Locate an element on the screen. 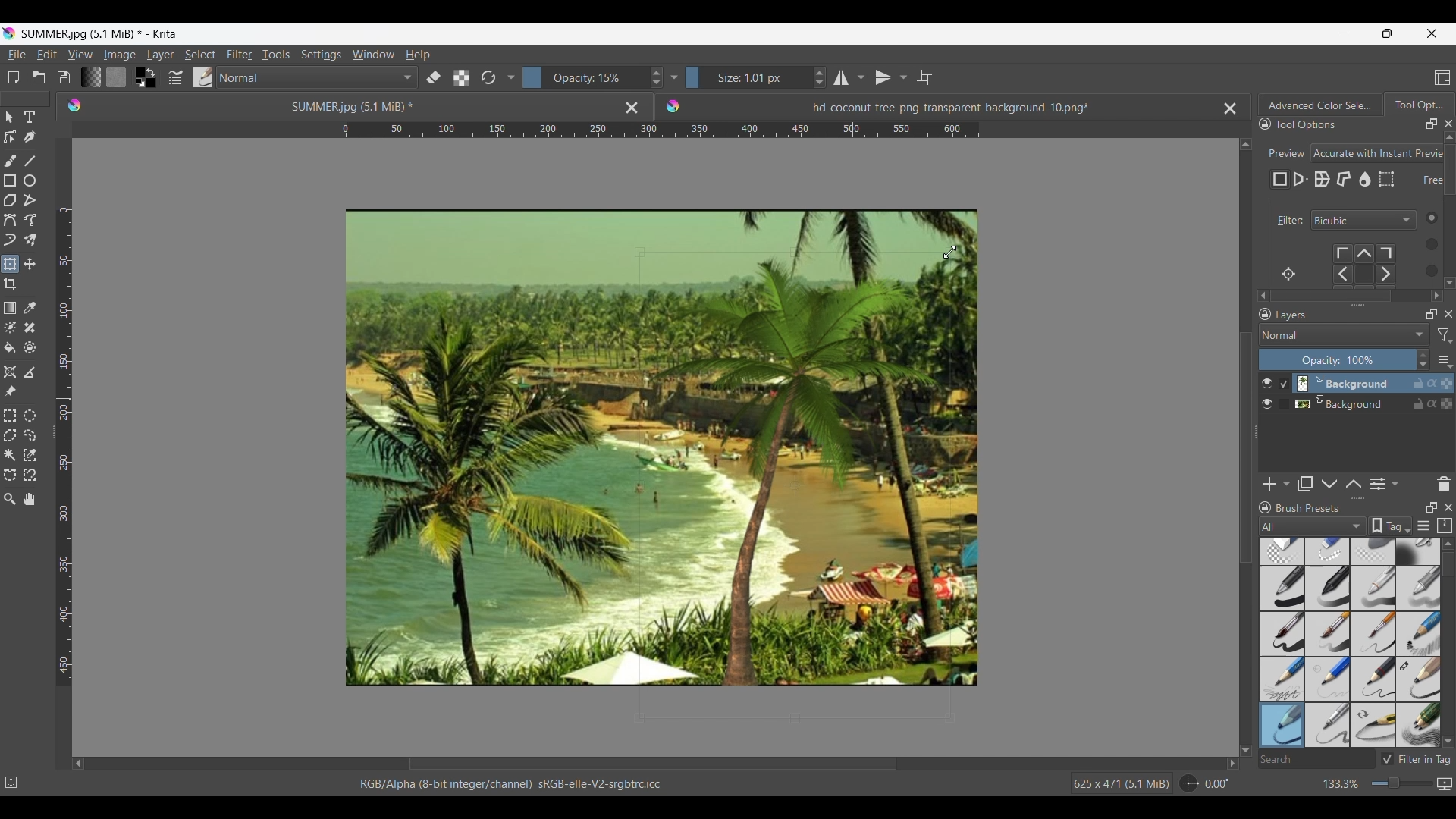 This screenshot has width=1456, height=819. Advanced color selector panel is located at coordinates (1320, 105).